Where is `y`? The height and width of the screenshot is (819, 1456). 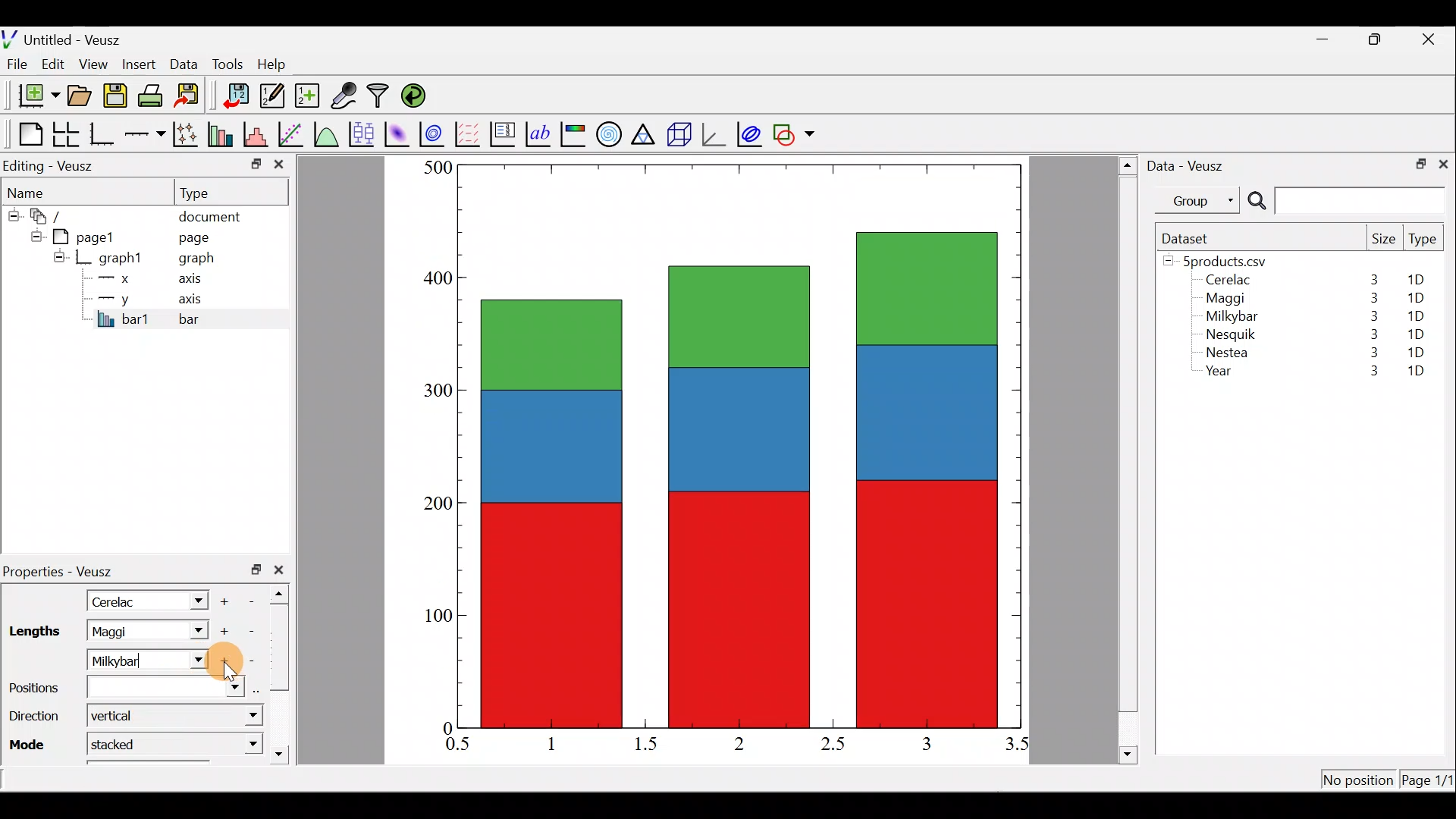
y is located at coordinates (114, 297).